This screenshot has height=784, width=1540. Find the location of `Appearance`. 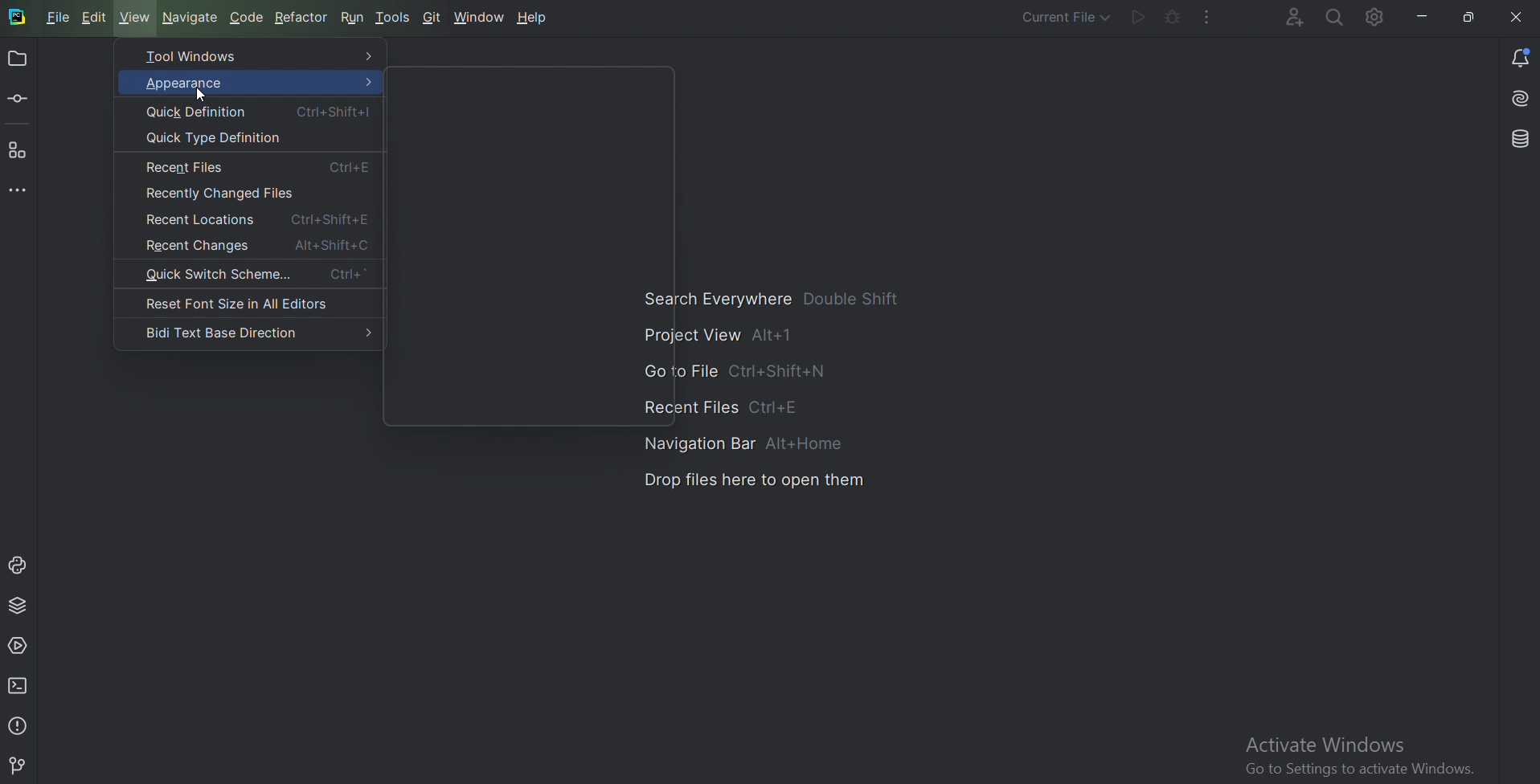

Appearance is located at coordinates (251, 82).